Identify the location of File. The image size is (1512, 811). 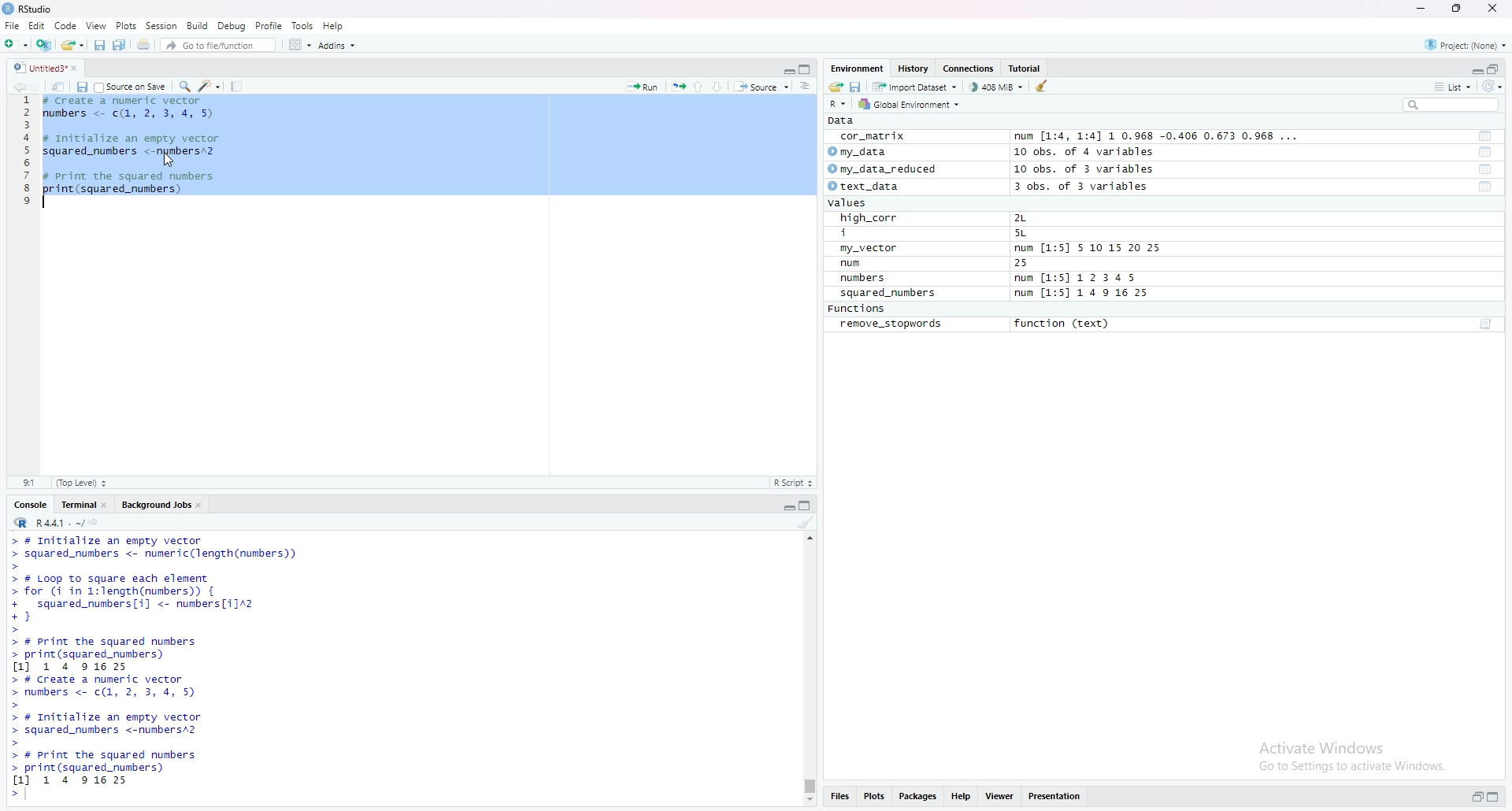
(12, 25).